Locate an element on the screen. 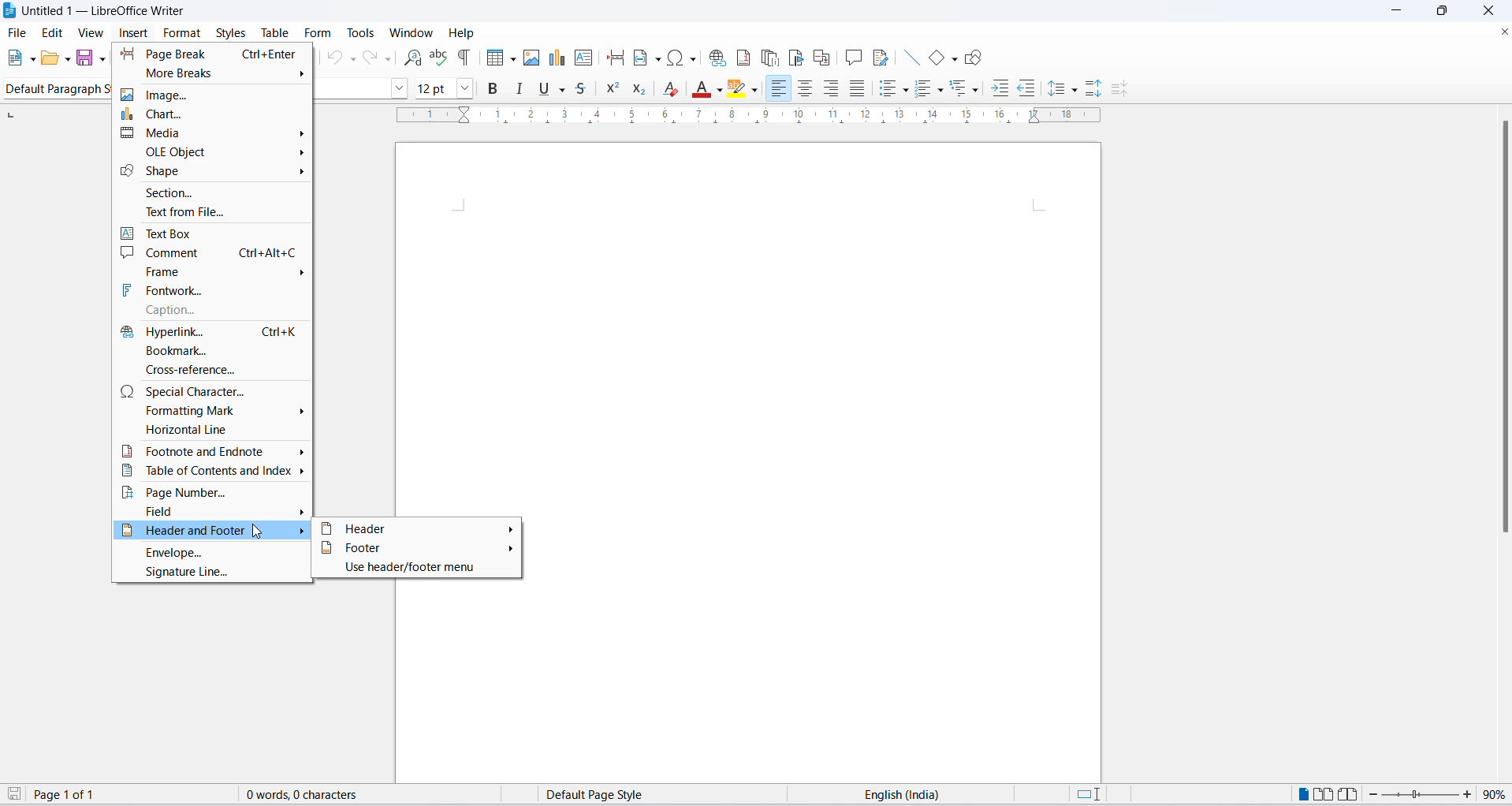 The image size is (1512, 806). open options is located at coordinates (69, 58).